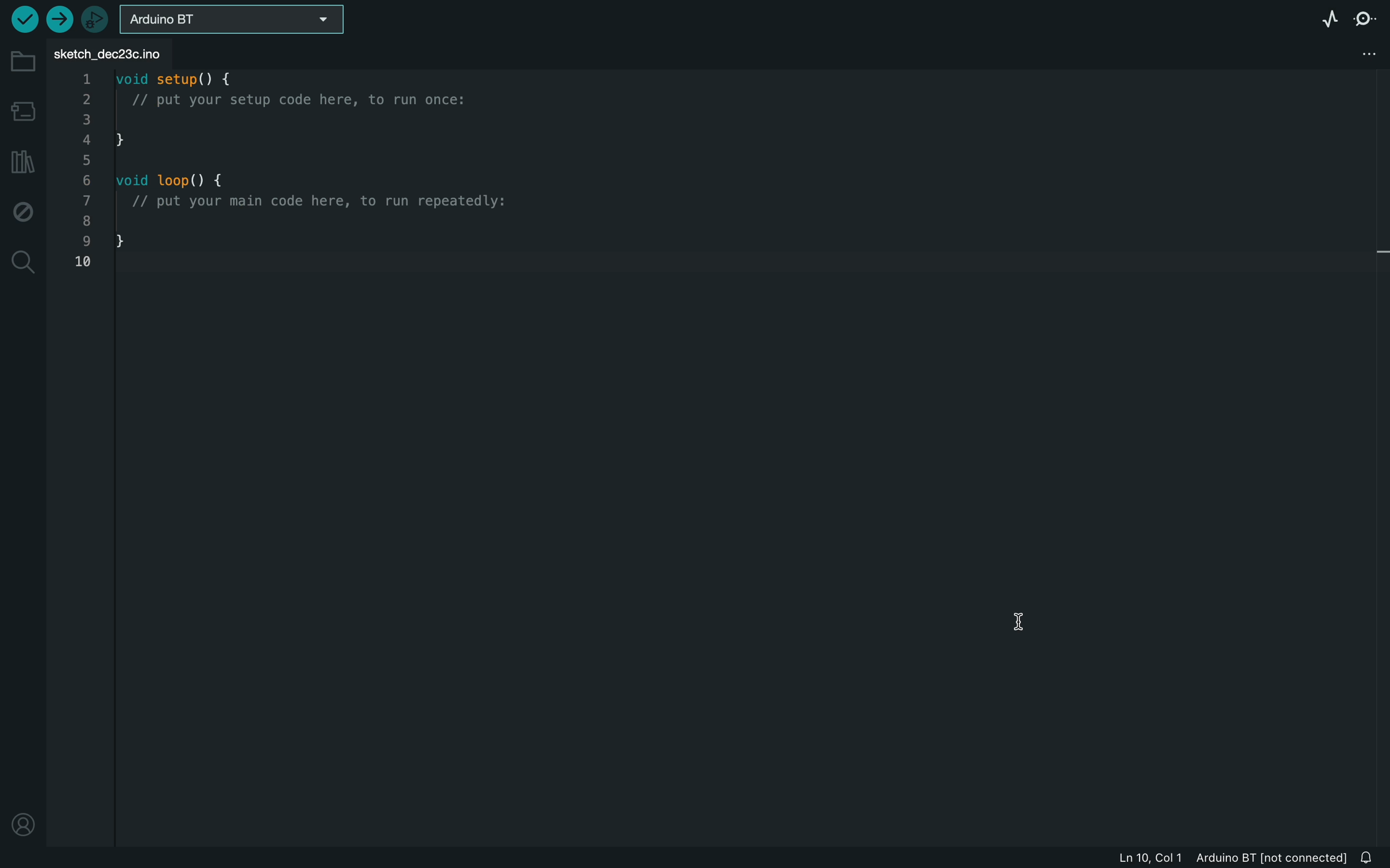 Image resolution: width=1390 pixels, height=868 pixels. Describe the element at coordinates (284, 169) in the screenshot. I see `code` at that location.